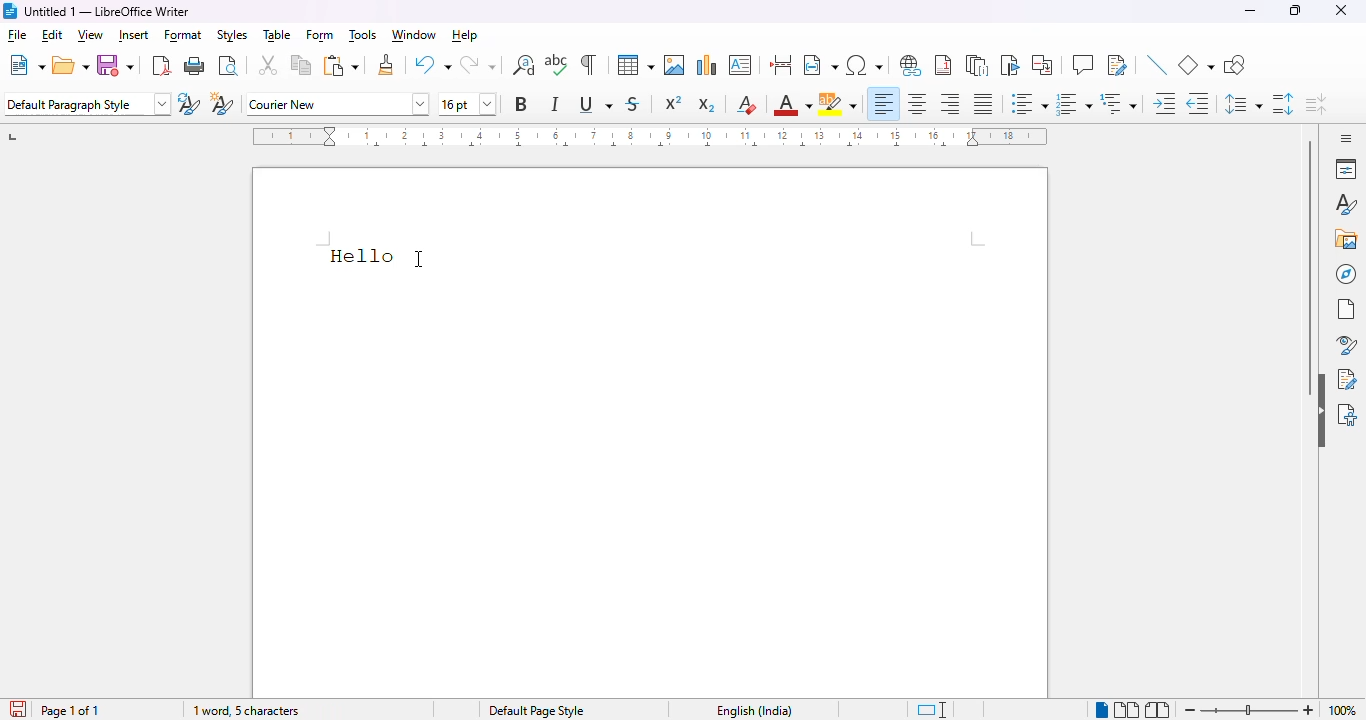 This screenshot has height=720, width=1366. What do you see at coordinates (18, 37) in the screenshot?
I see `file` at bounding box center [18, 37].